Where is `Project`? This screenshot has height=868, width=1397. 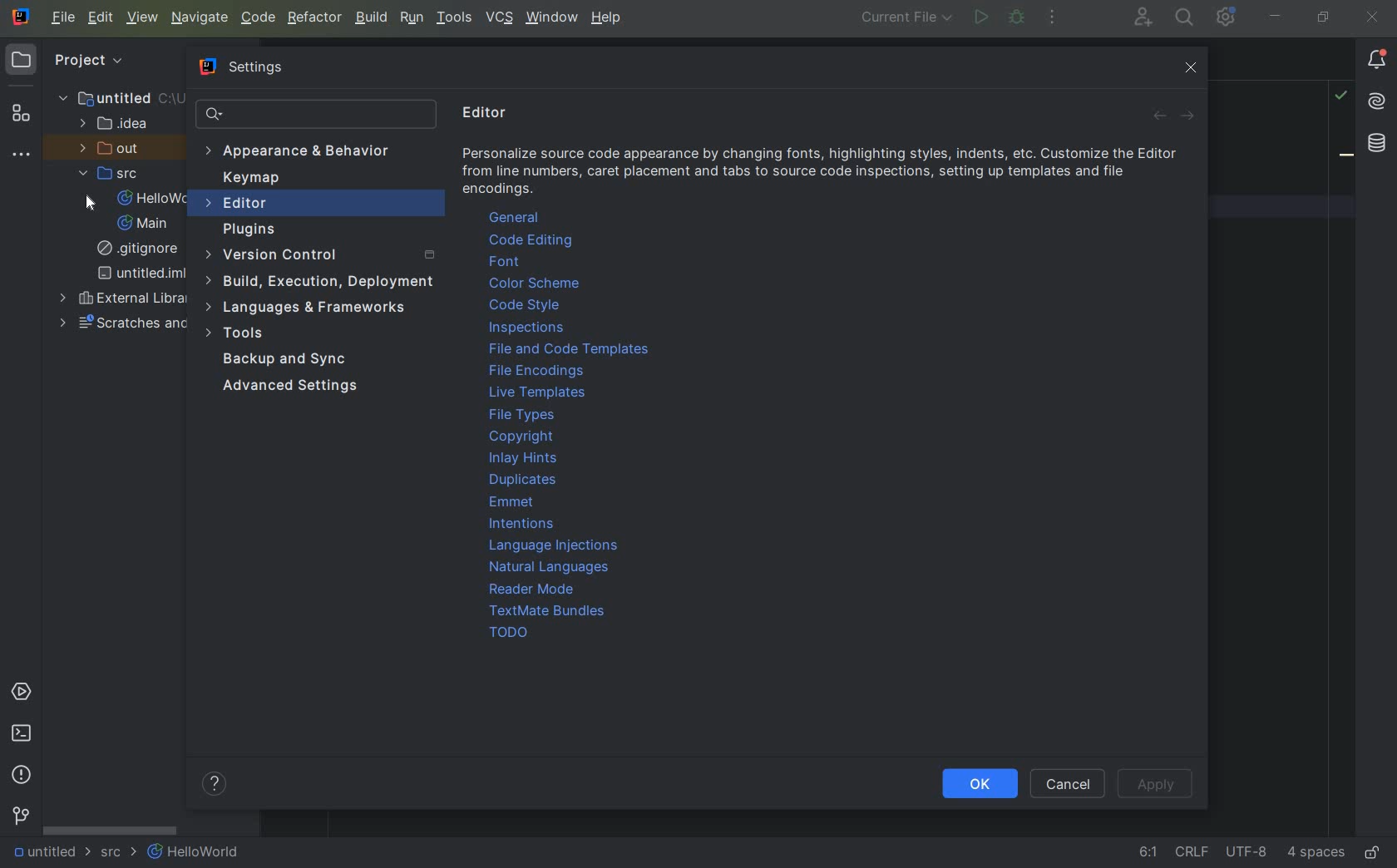 Project is located at coordinates (117, 61).